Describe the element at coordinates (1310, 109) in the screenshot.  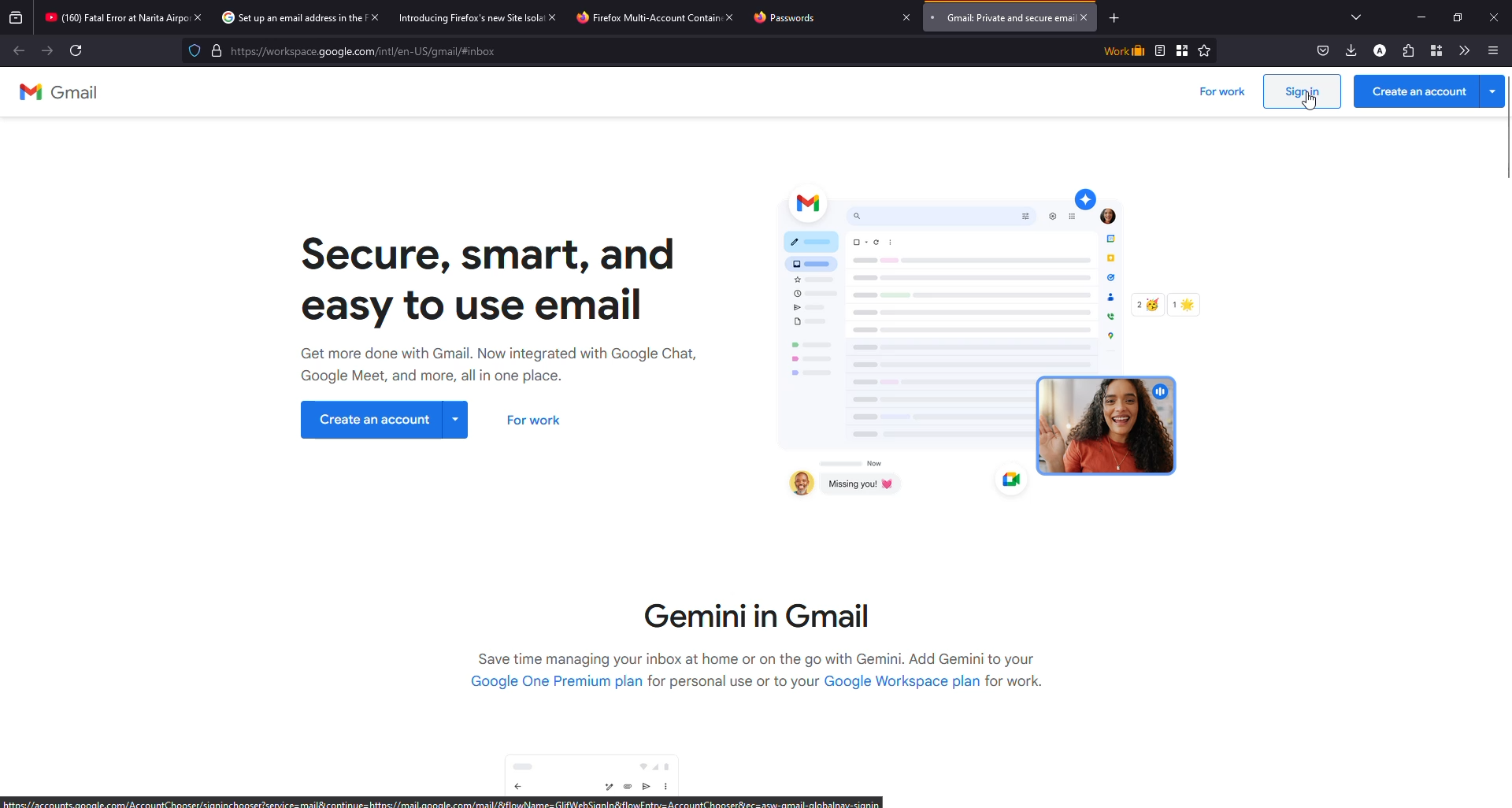
I see `cursor` at that location.